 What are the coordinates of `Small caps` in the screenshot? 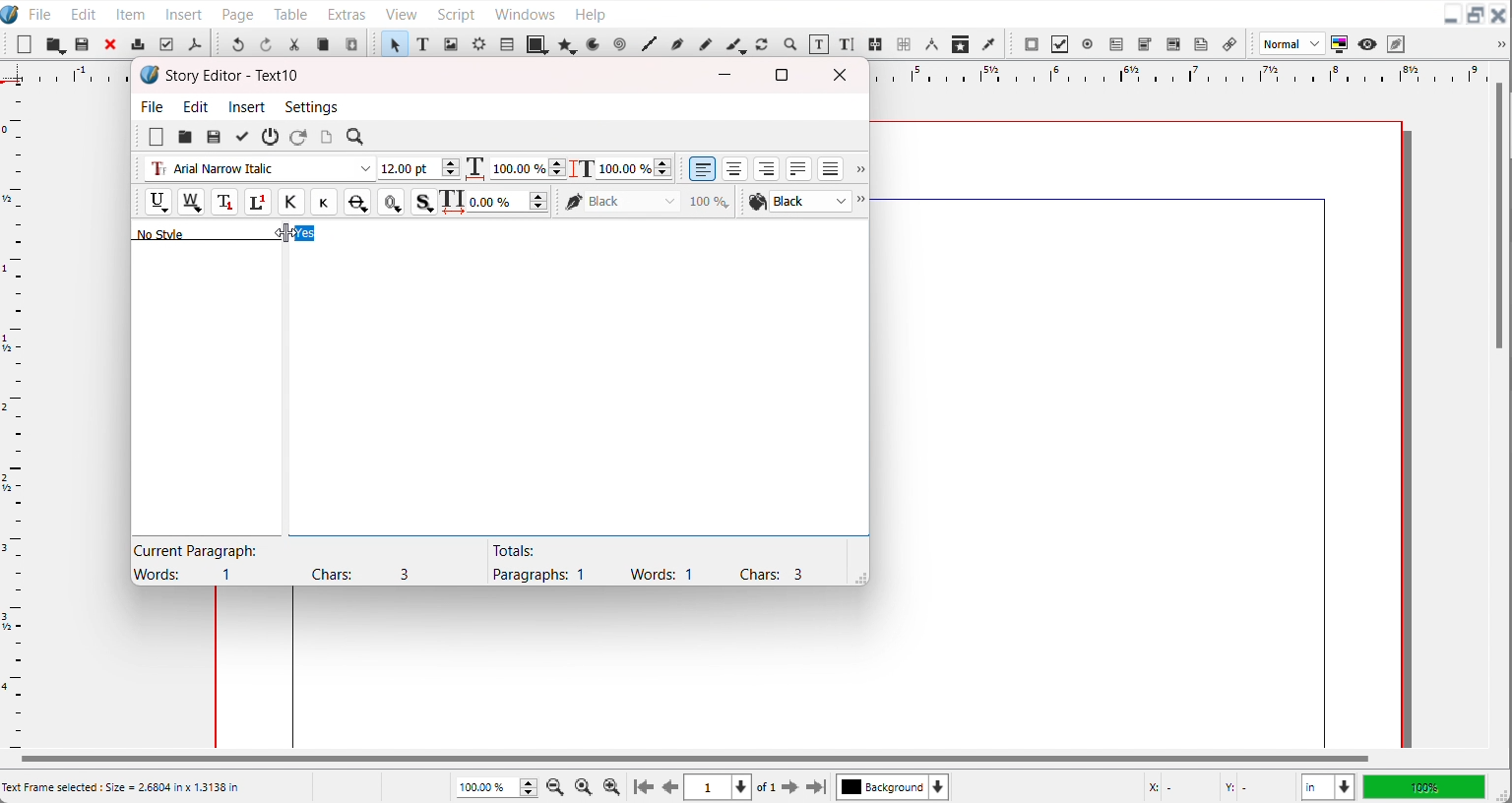 It's located at (323, 201).